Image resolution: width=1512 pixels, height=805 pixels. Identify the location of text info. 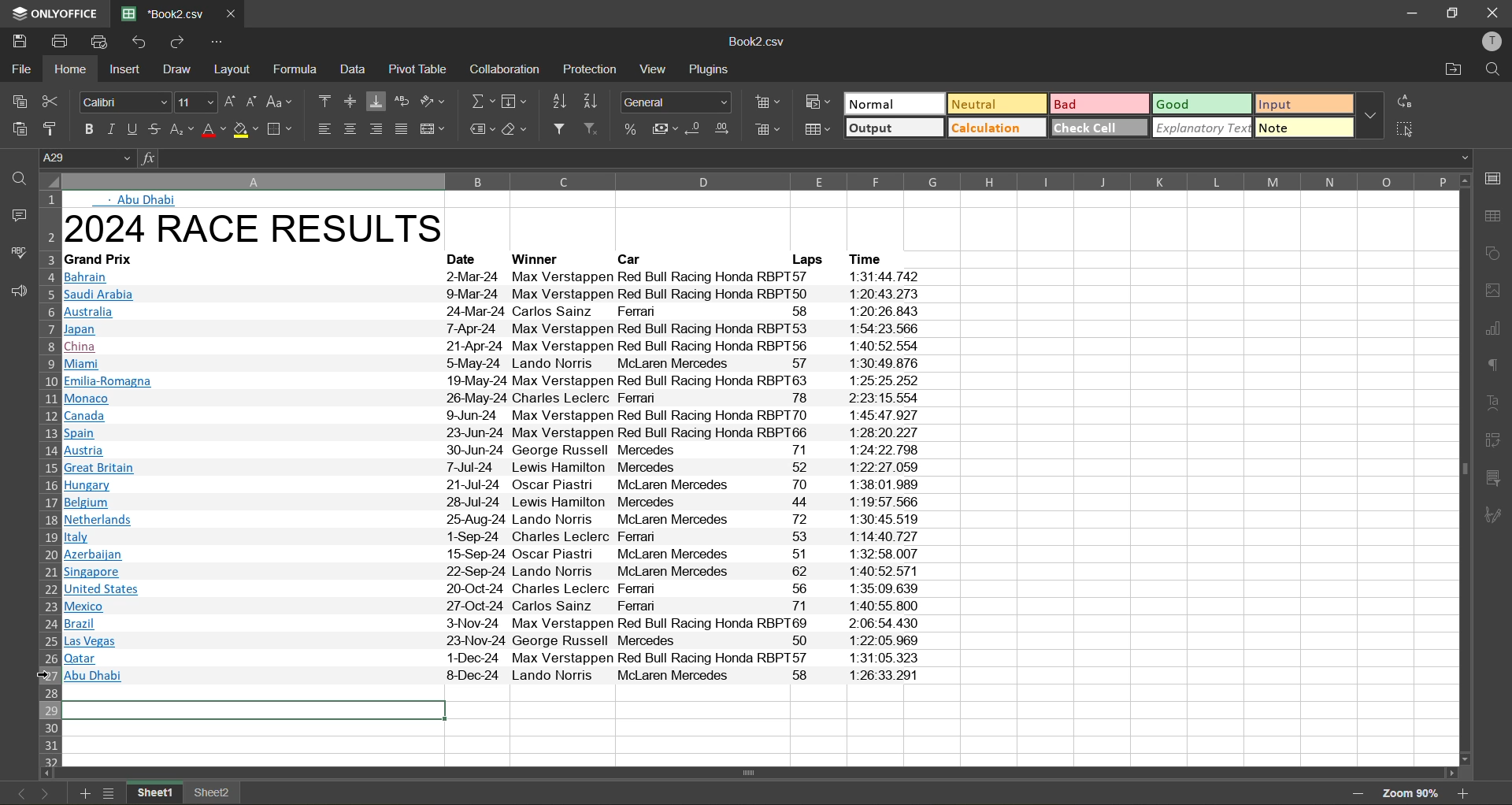
(492, 382).